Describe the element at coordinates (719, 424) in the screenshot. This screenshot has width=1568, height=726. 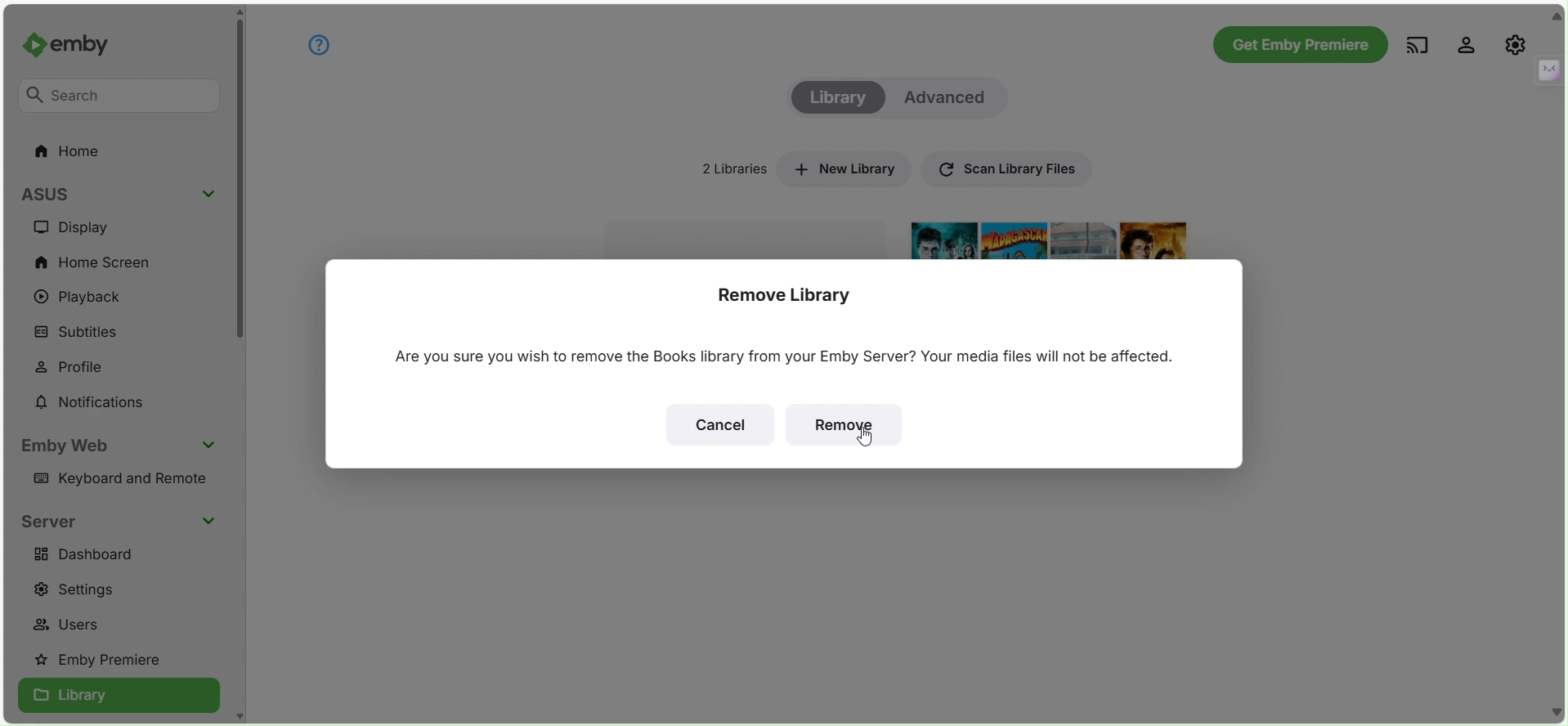
I see `Cancel` at that location.